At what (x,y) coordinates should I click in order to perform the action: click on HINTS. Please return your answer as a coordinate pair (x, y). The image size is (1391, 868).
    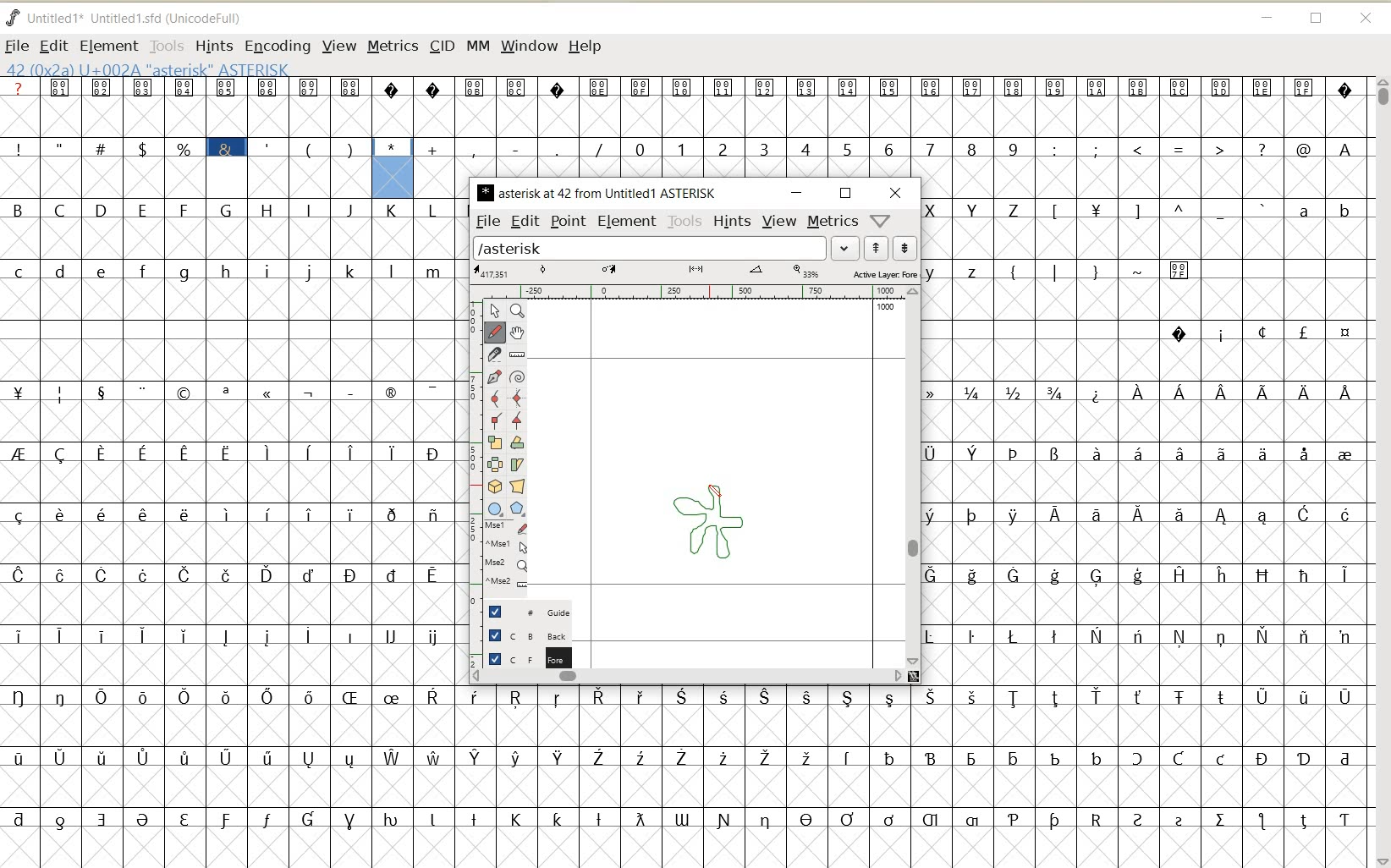
    Looking at the image, I should click on (213, 47).